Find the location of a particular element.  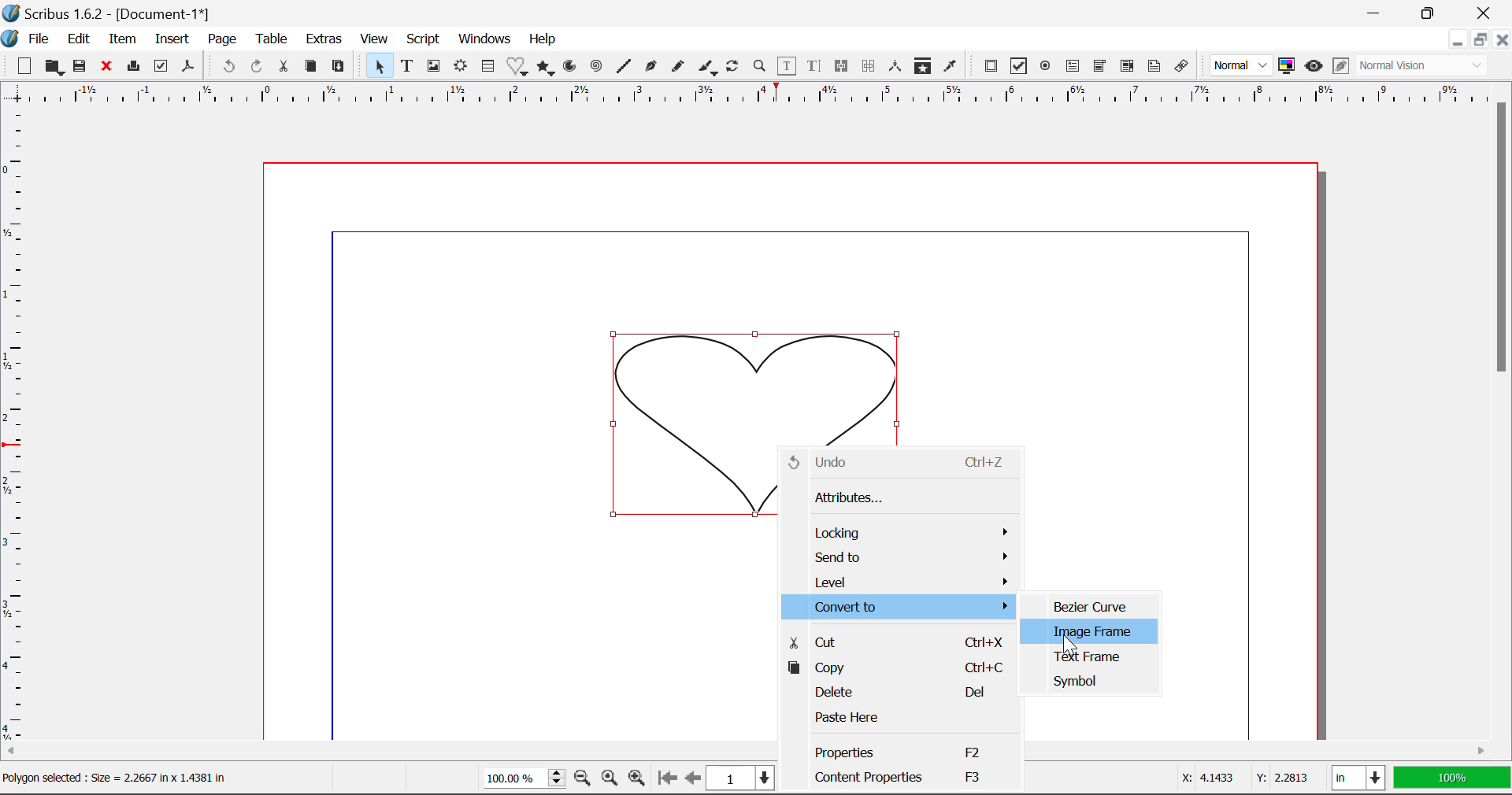

Extras is located at coordinates (327, 40).